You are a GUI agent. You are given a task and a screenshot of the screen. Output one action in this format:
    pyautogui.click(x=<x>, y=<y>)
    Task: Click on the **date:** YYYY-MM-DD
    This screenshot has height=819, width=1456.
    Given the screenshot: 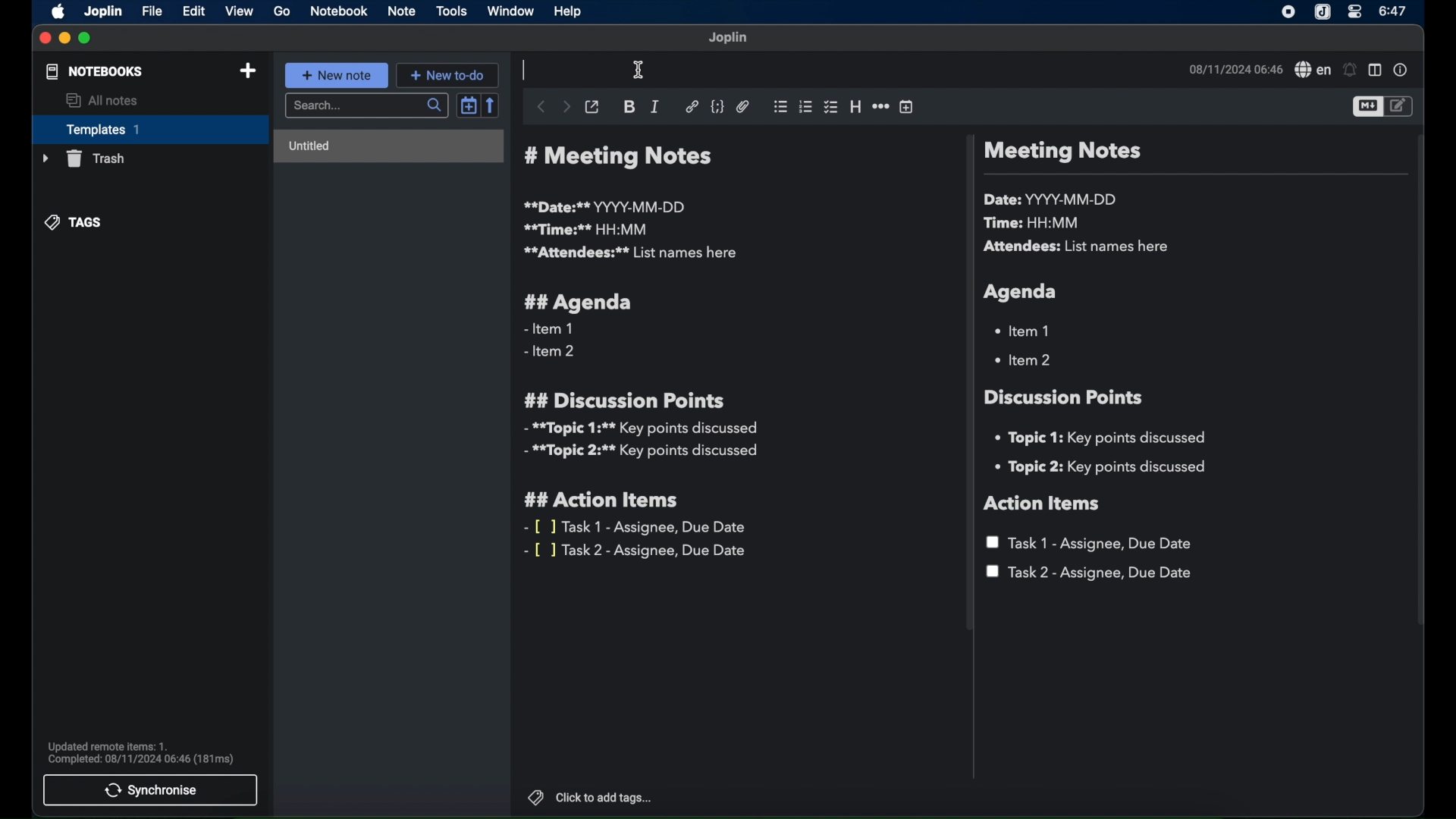 What is the action you would take?
    pyautogui.click(x=607, y=206)
    